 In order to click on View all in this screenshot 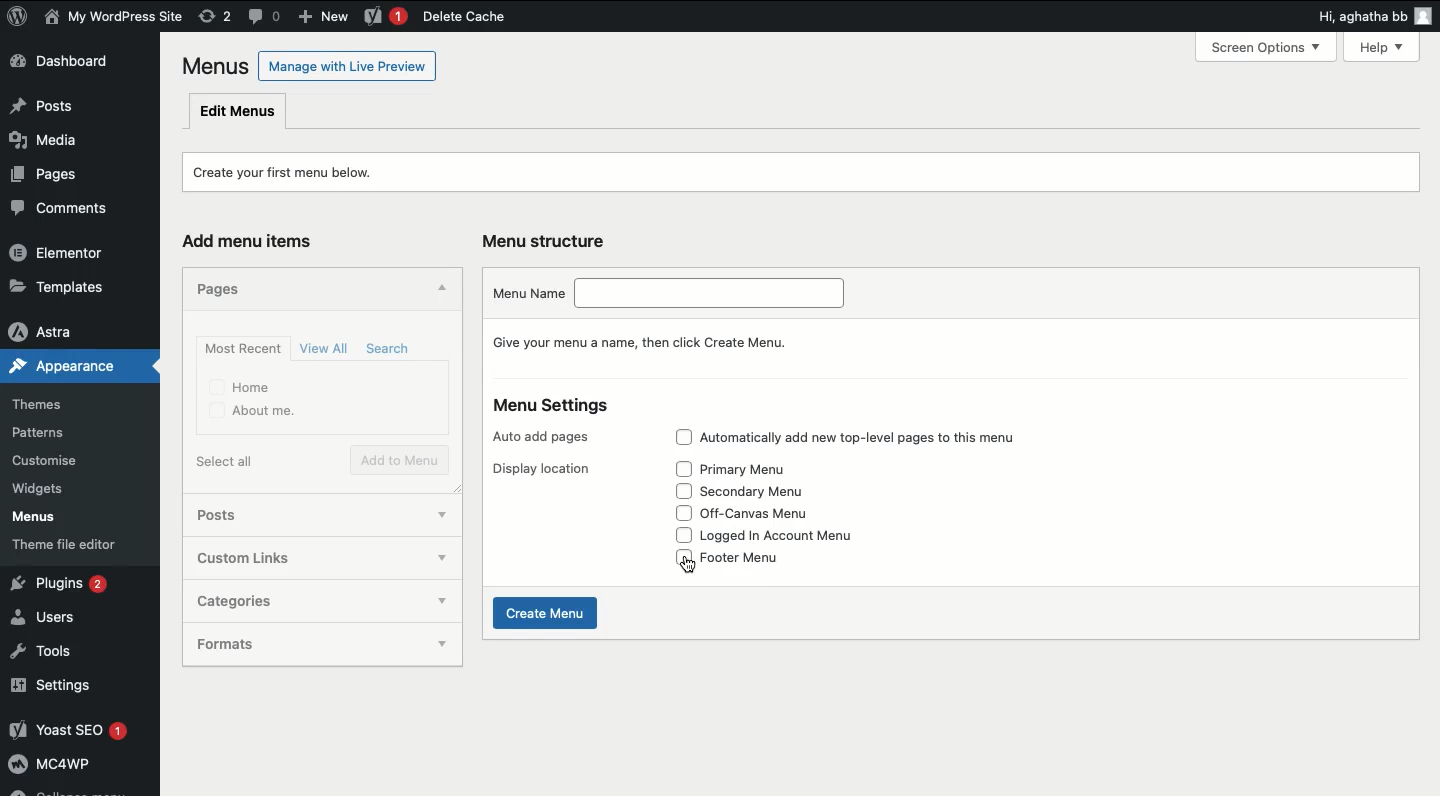, I will do `click(326, 347)`.